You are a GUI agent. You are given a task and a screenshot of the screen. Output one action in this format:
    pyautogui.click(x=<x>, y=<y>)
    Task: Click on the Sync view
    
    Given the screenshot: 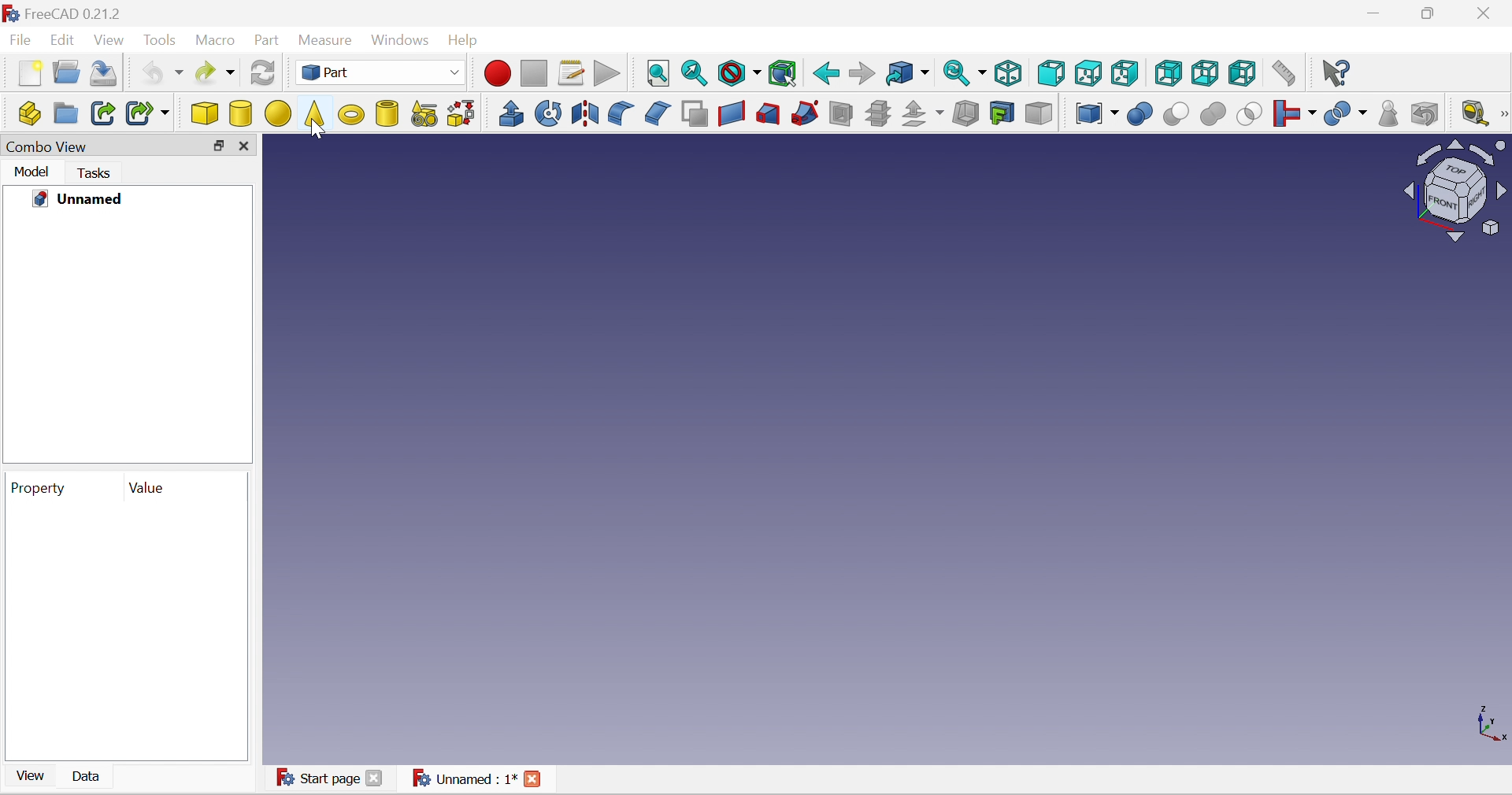 What is the action you would take?
    pyautogui.click(x=965, y=73)
    